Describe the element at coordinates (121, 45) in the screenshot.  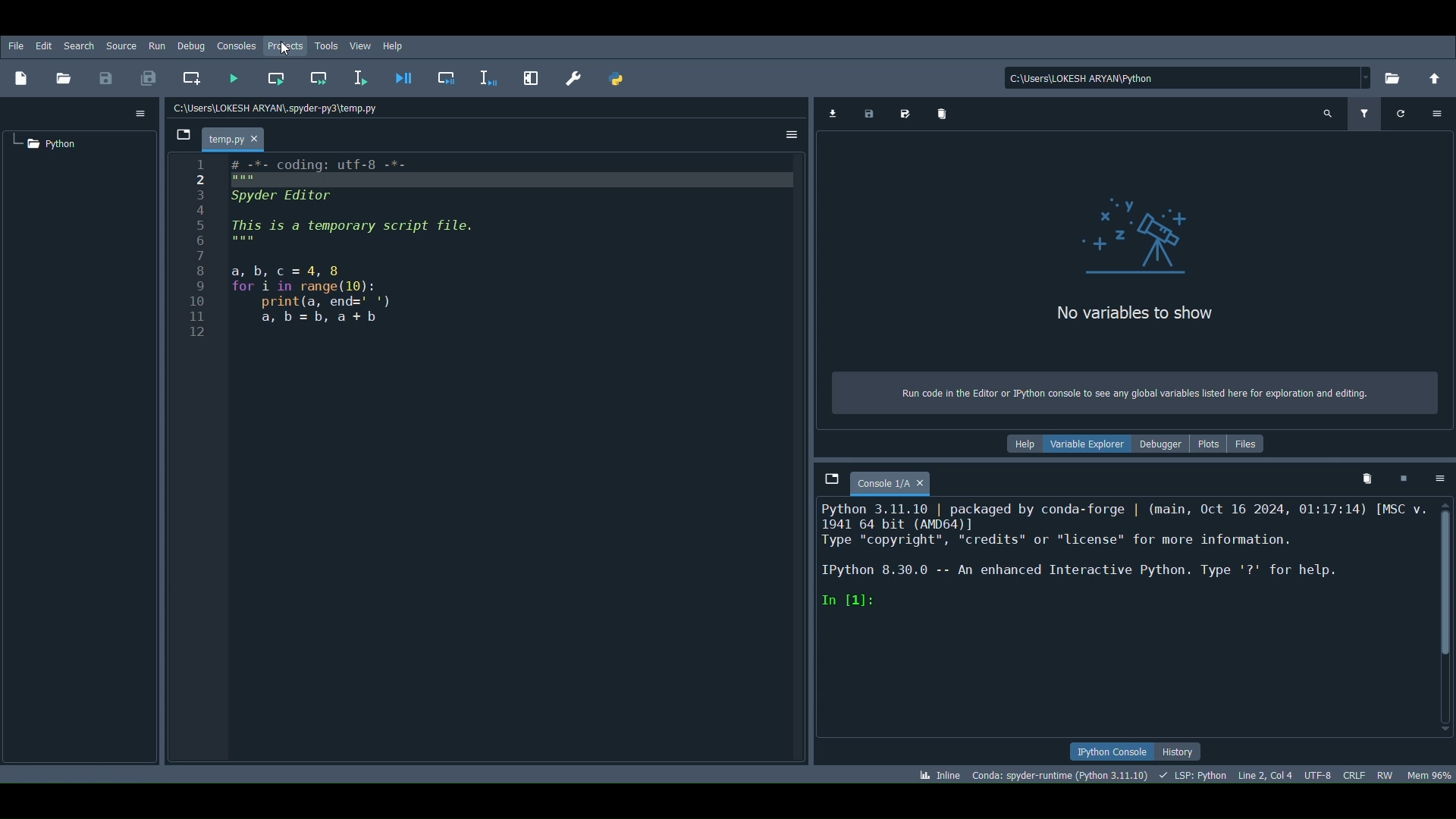
I see `Source` at that location.